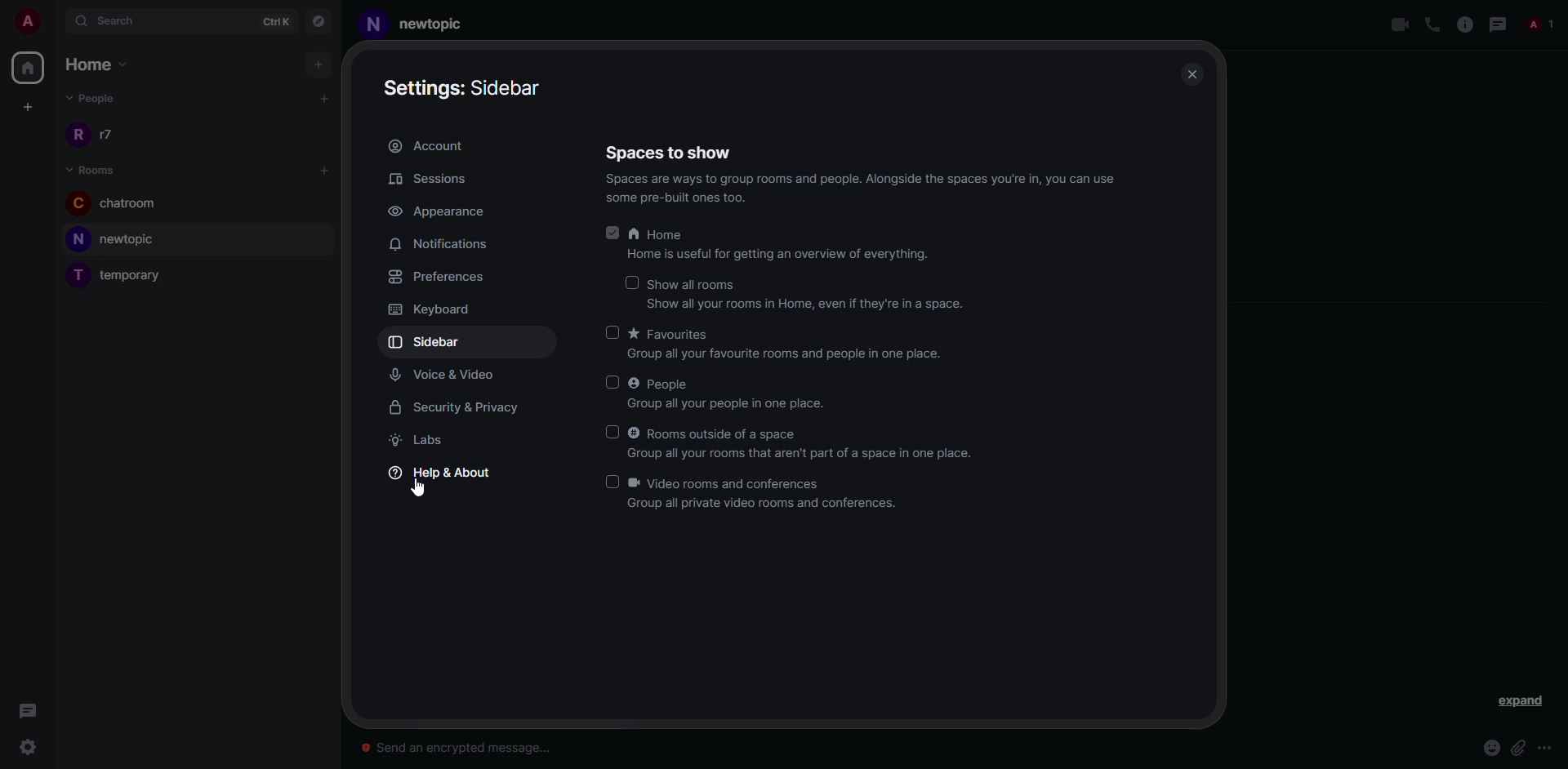 This screenshot has height=769, width=1568. I want to click on room, so click(423, 24).